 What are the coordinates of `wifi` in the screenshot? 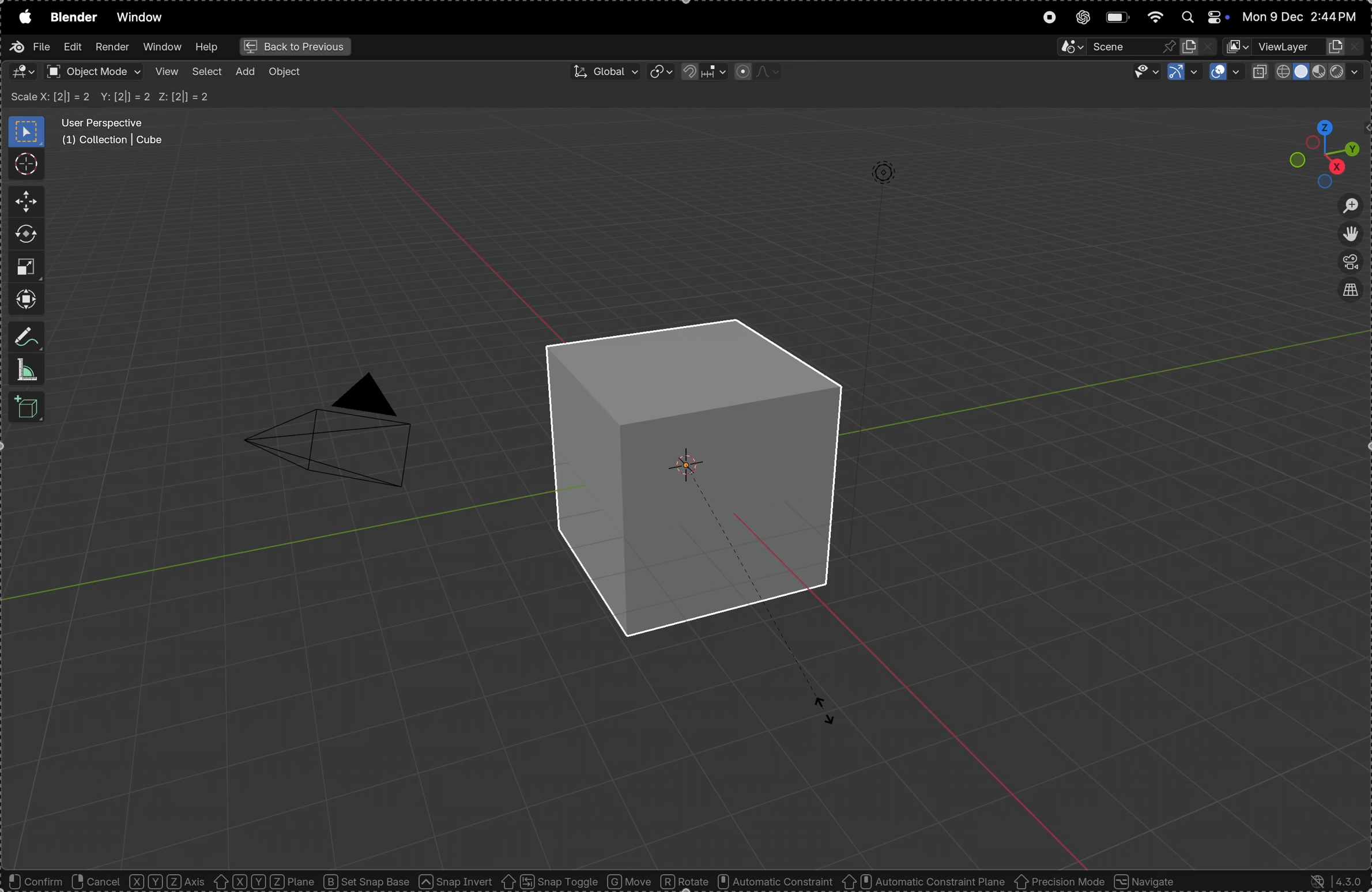 It's located at (1155, 17).